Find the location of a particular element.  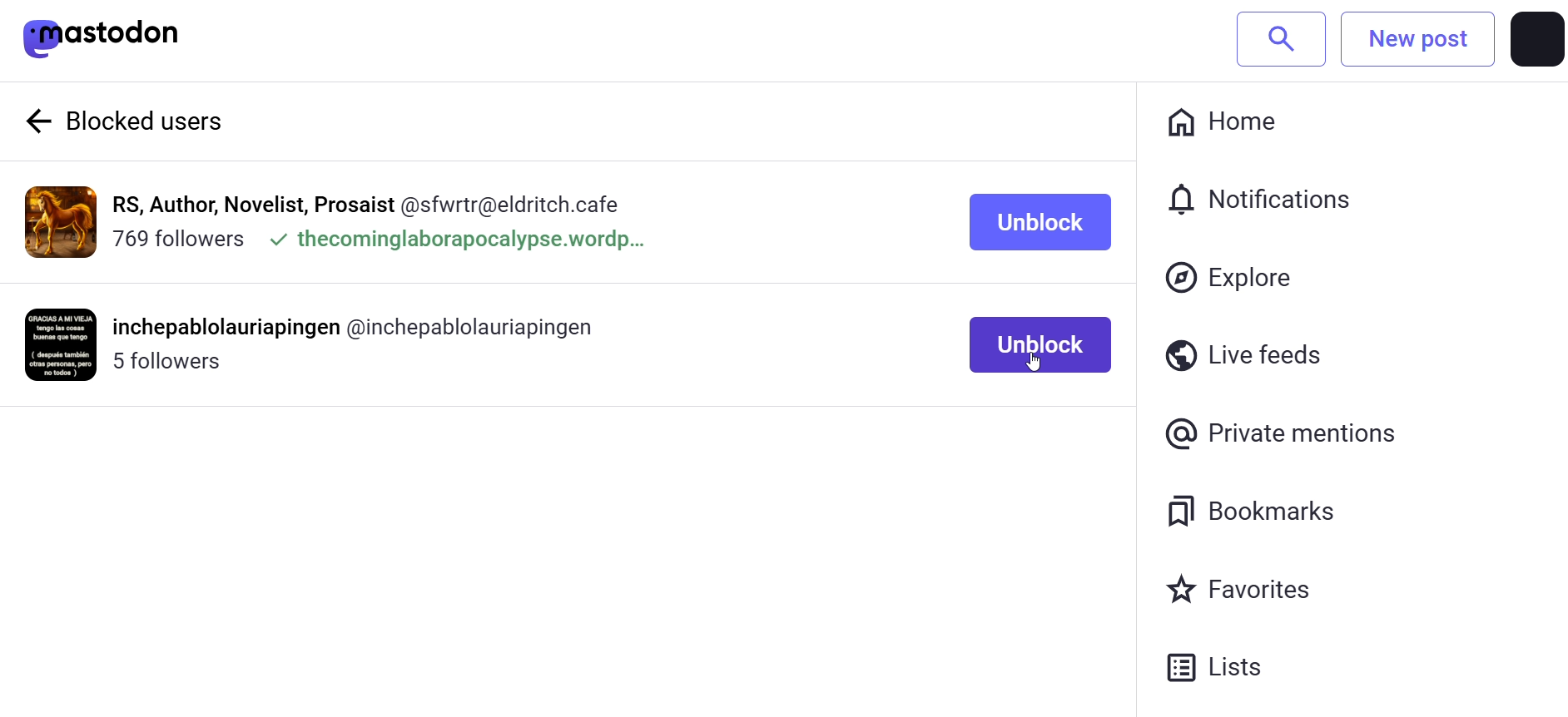

back is located at coordinates (36, 120).